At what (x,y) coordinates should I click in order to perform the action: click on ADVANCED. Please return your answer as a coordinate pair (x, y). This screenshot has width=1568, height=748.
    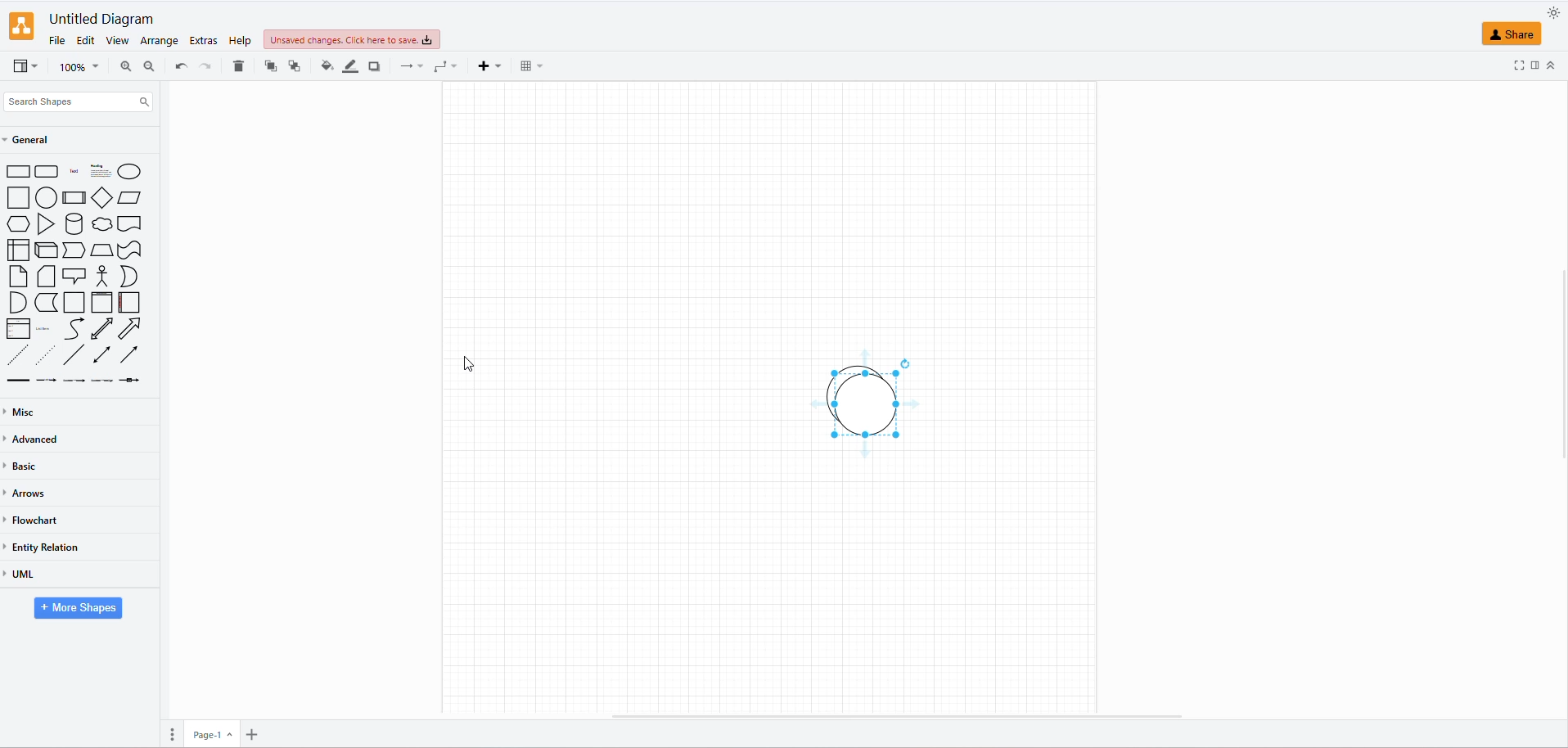
    Looking at the image, I should click on (37, 439).